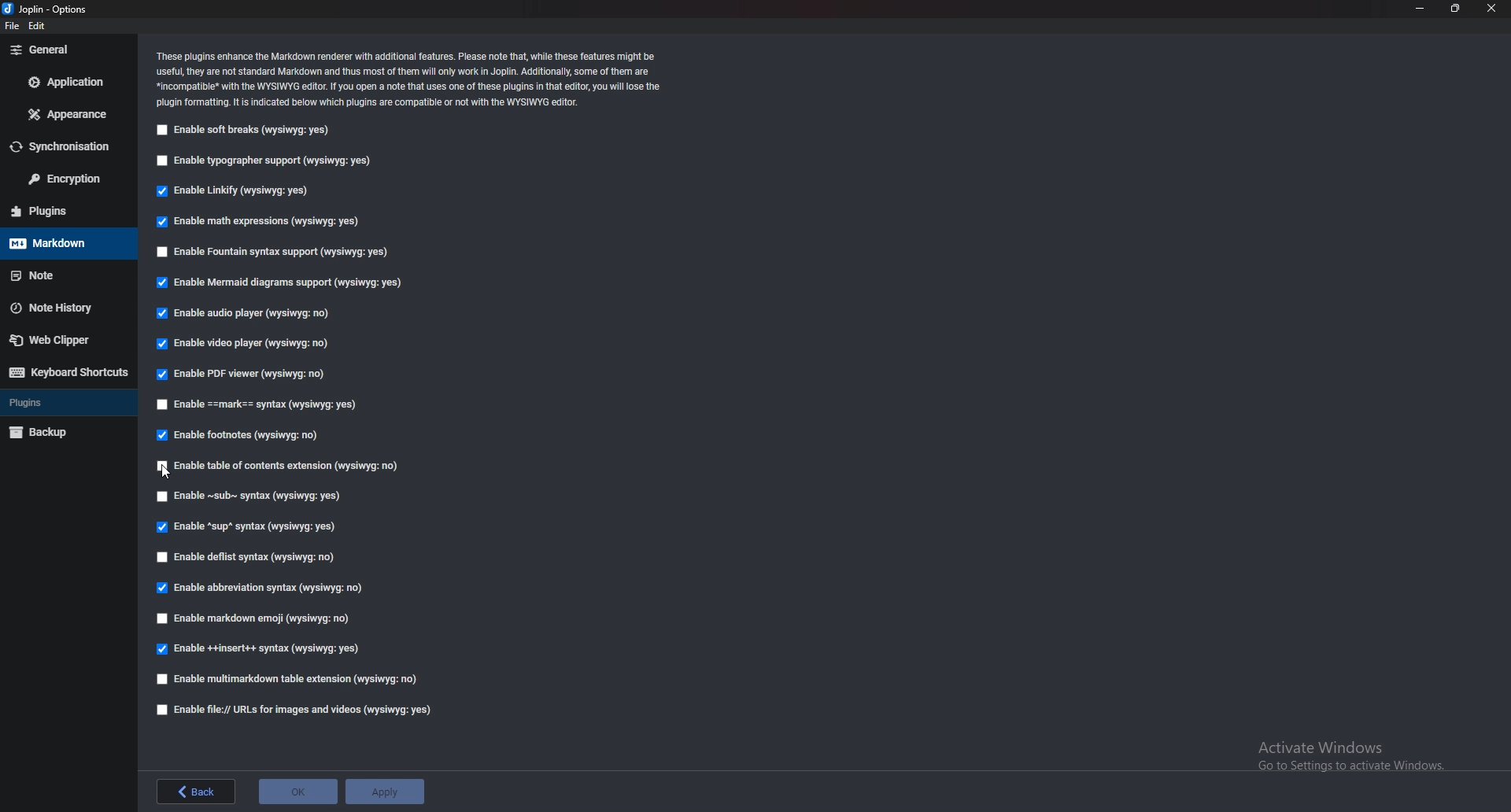 This screenshot has width=1511, height=812. What do you see at coordinates (67, 83) in the screenshot?
I see `Application` at bounding box center [67, 83].